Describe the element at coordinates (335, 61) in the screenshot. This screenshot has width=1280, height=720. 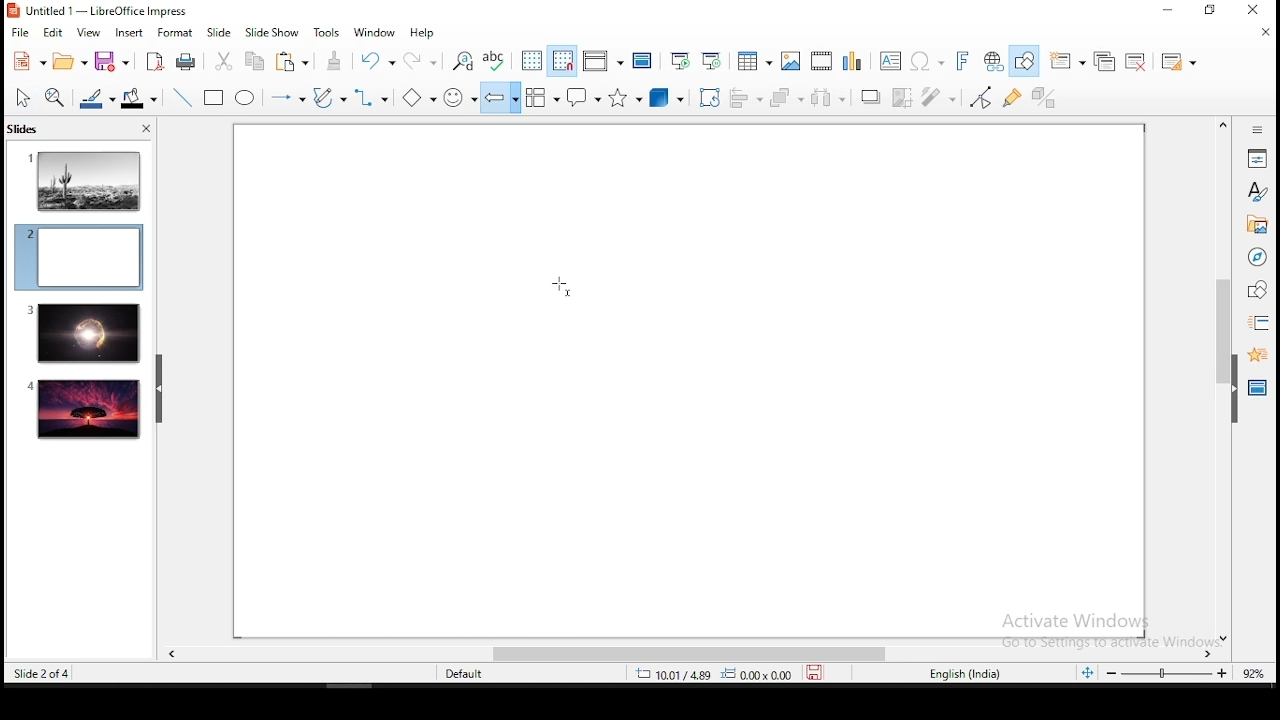
I see `clone formatting` at that location.